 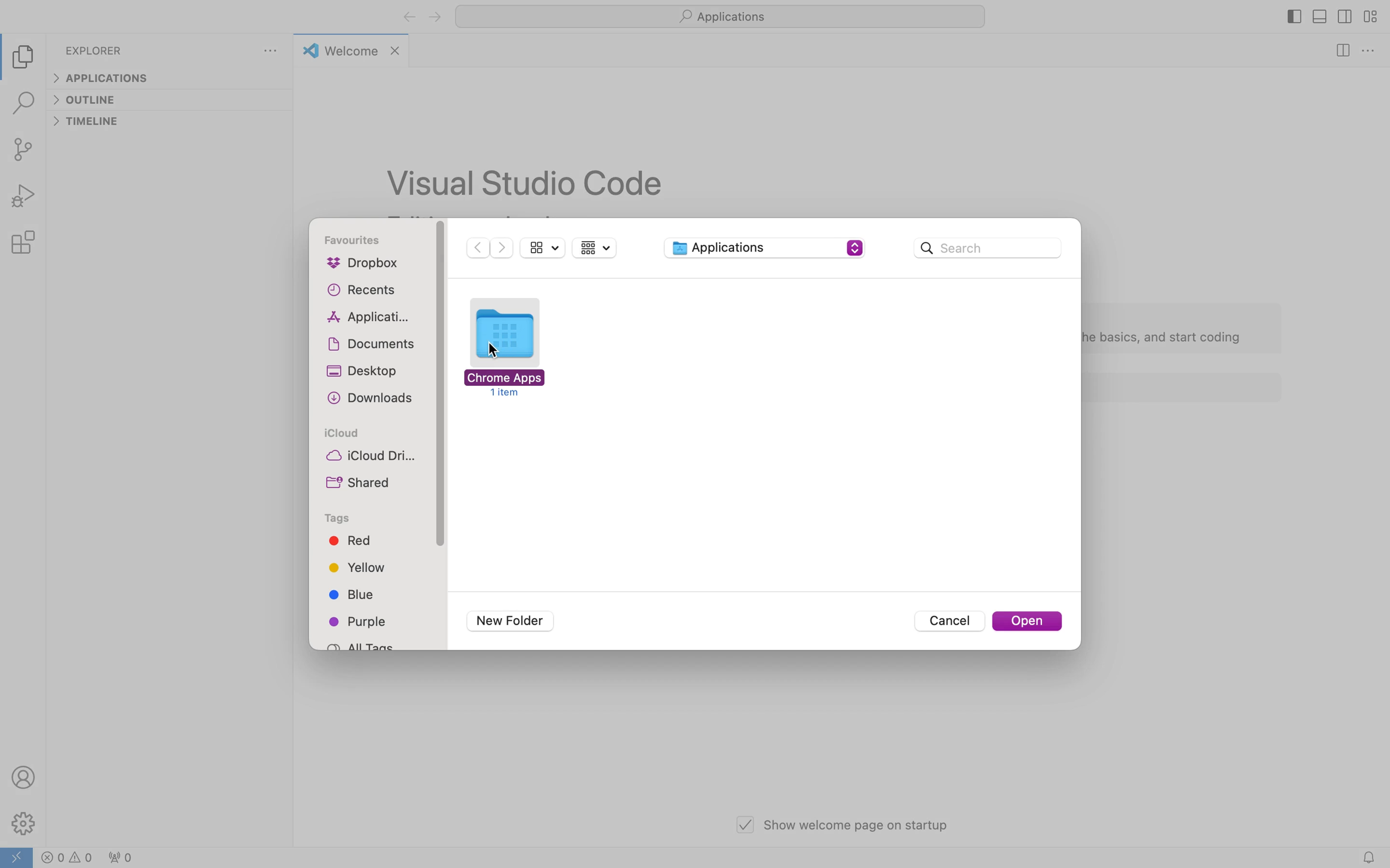 I want to click on applications, so click(x=762, y=249).